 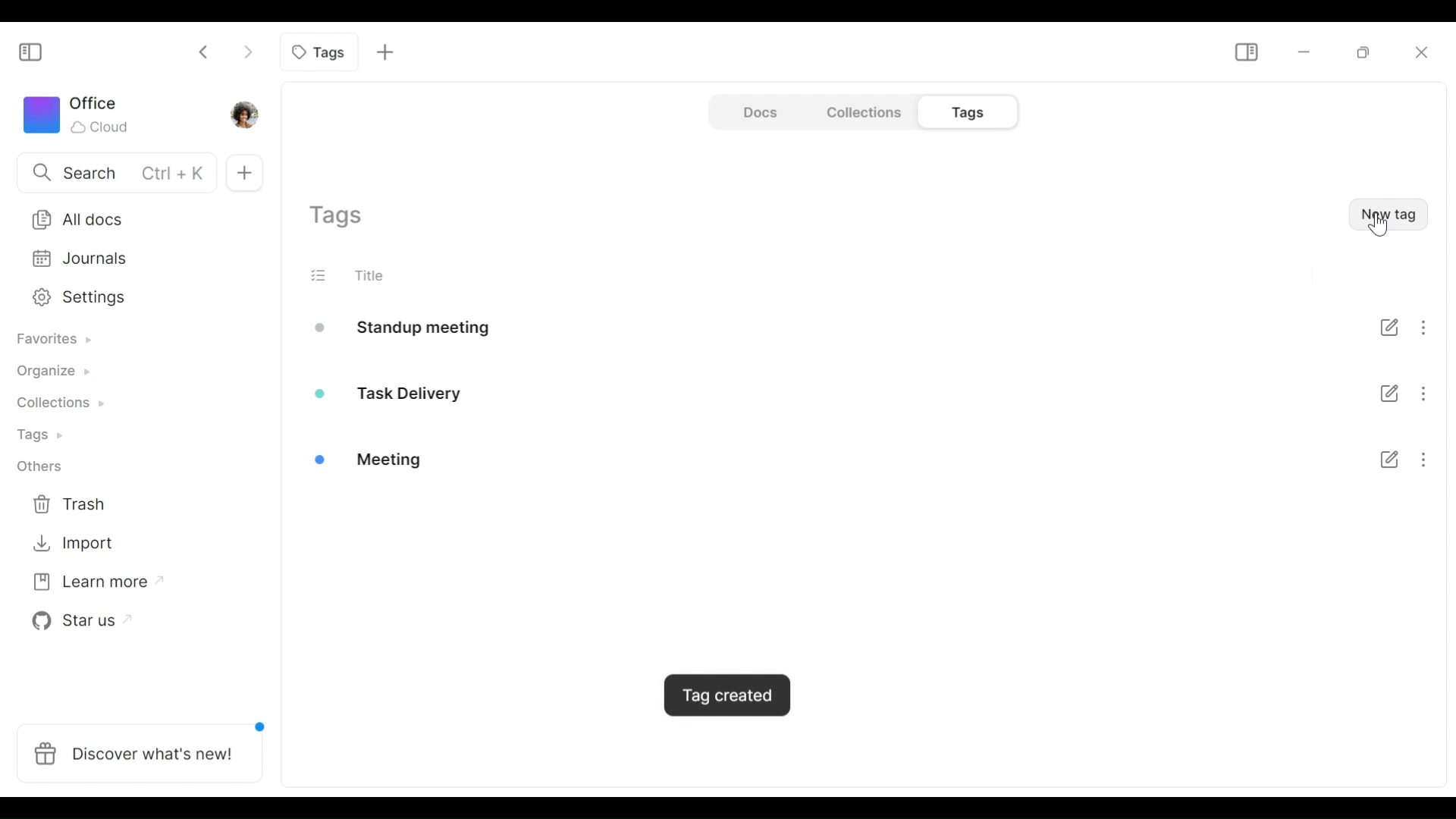 What do you see at coordinates (1423, 51) in the screenshot?
I see `Close` at bounding box center [1423, 51].